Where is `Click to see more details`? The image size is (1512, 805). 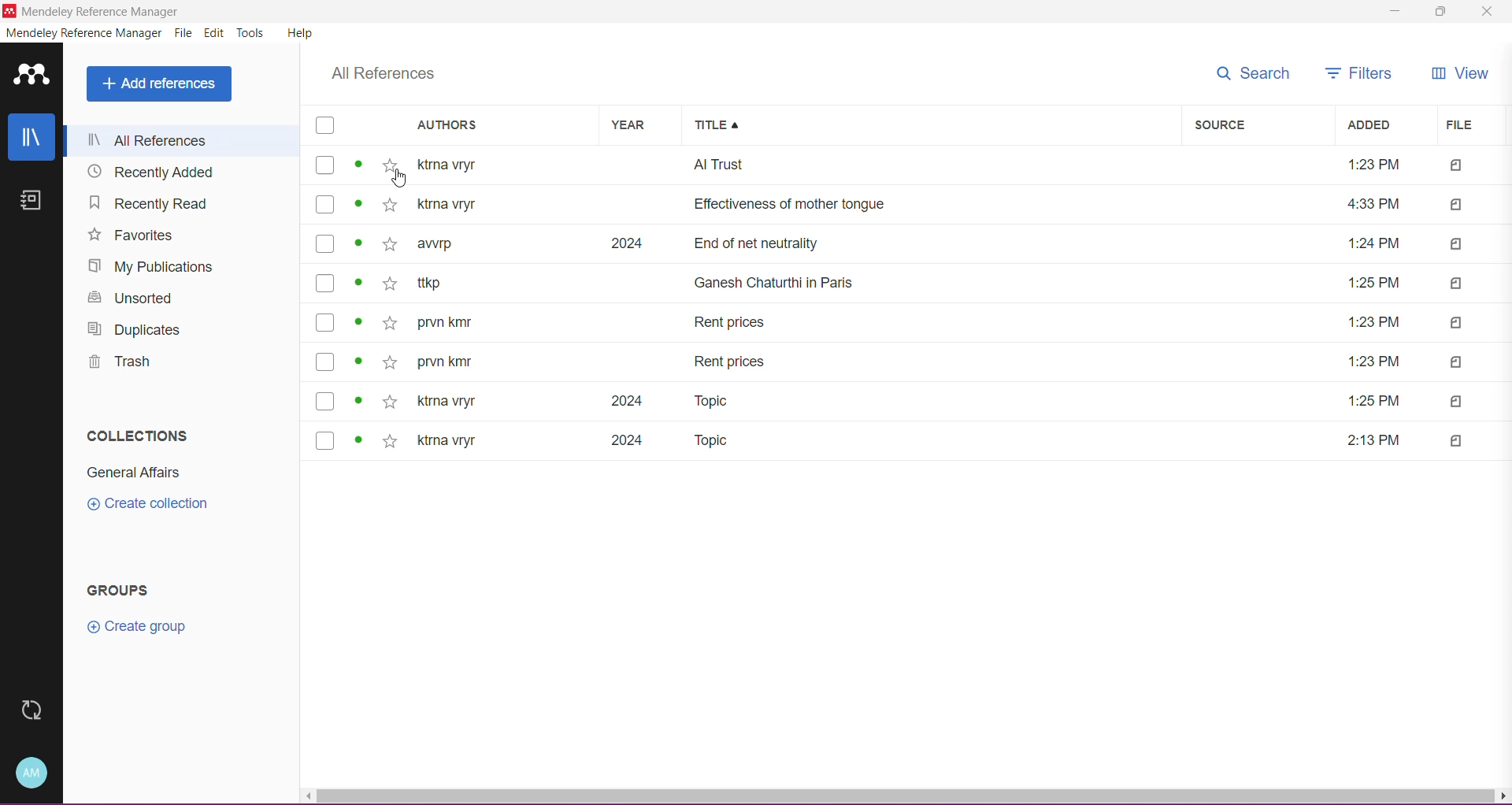 Click to see more details is located at coordinates (359, 321).